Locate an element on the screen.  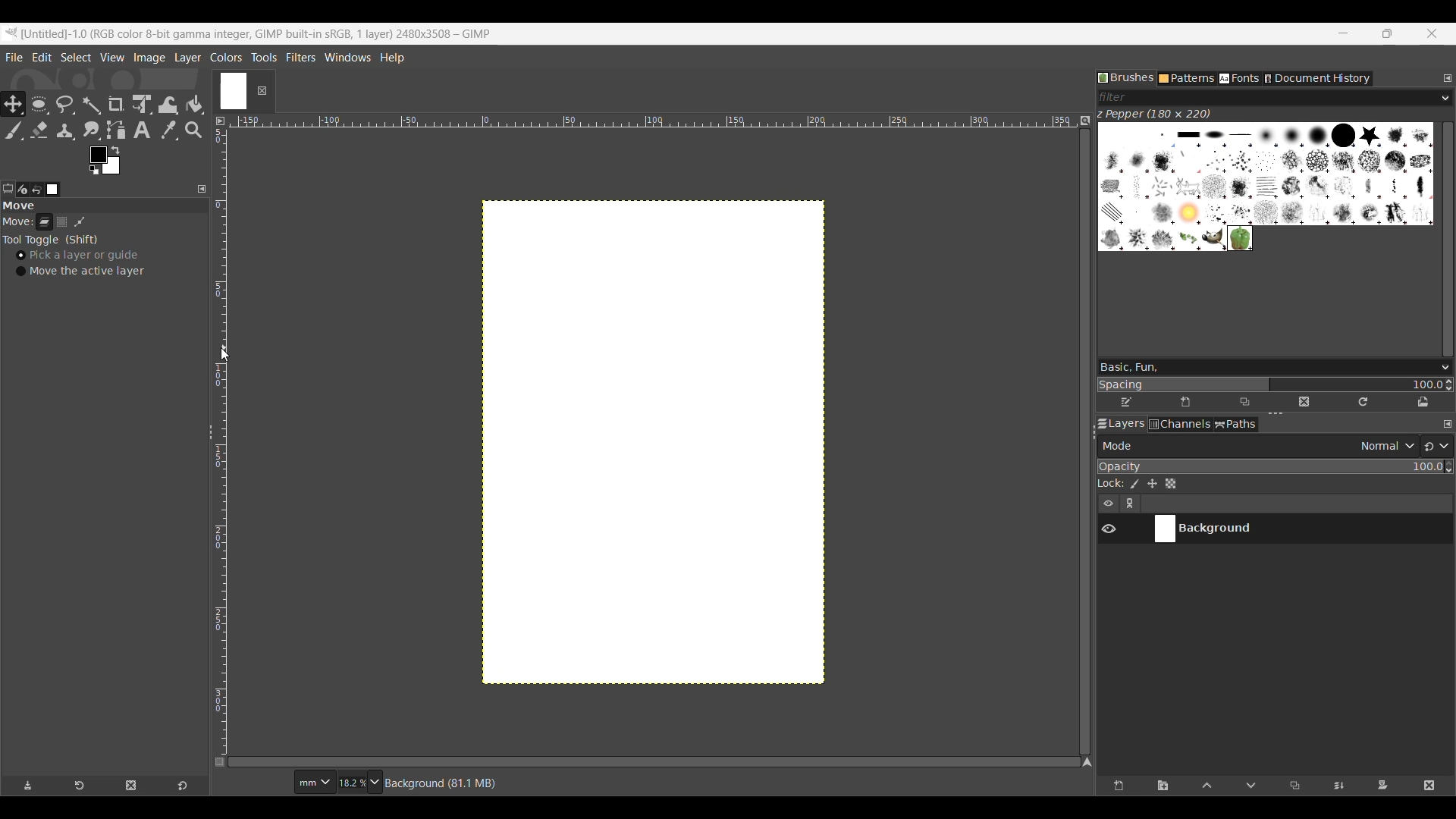
Pick a layer or guide, toggle on is located at coordinates (77, 256).